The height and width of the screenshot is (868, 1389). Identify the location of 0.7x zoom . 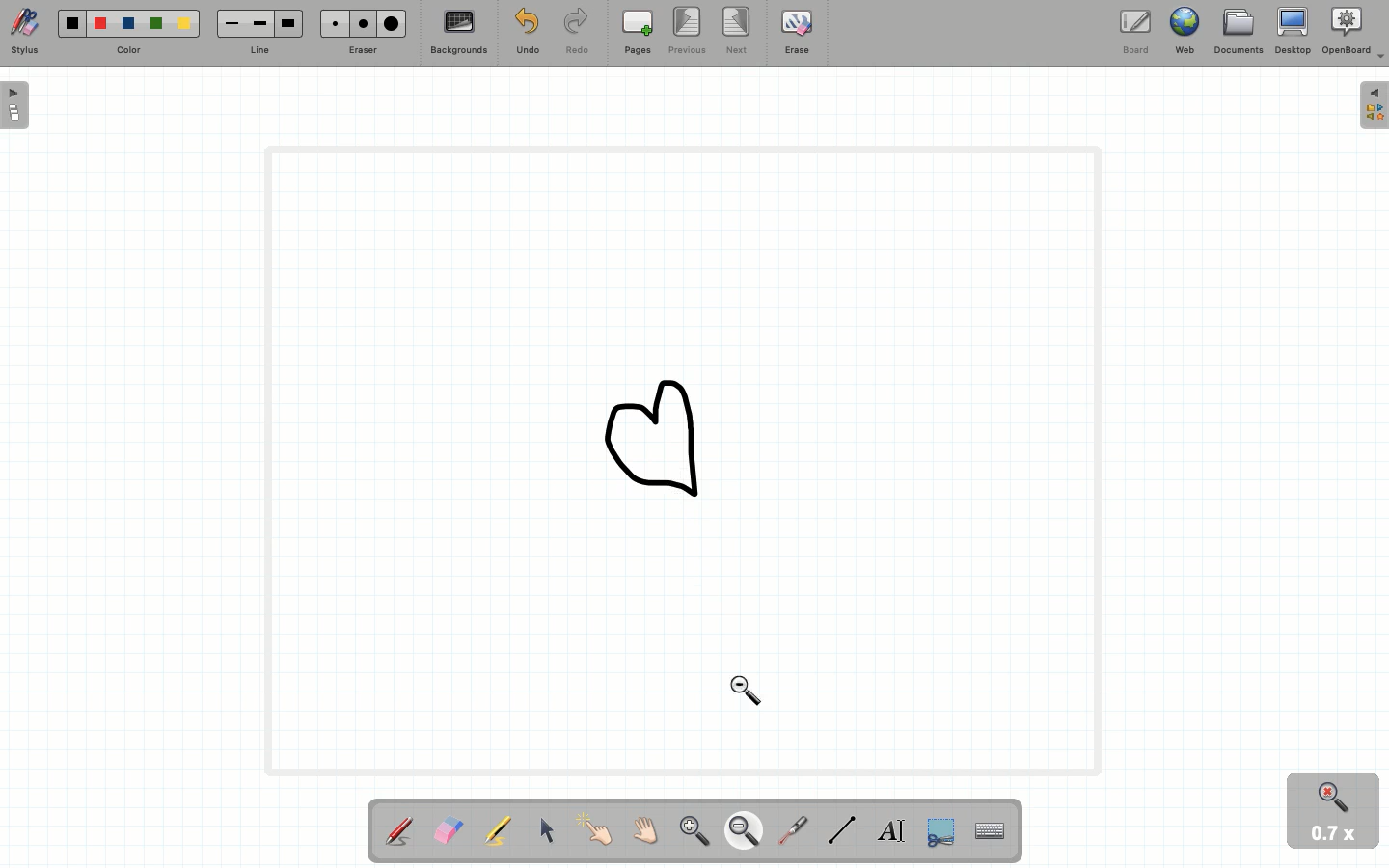
(1334, 836).